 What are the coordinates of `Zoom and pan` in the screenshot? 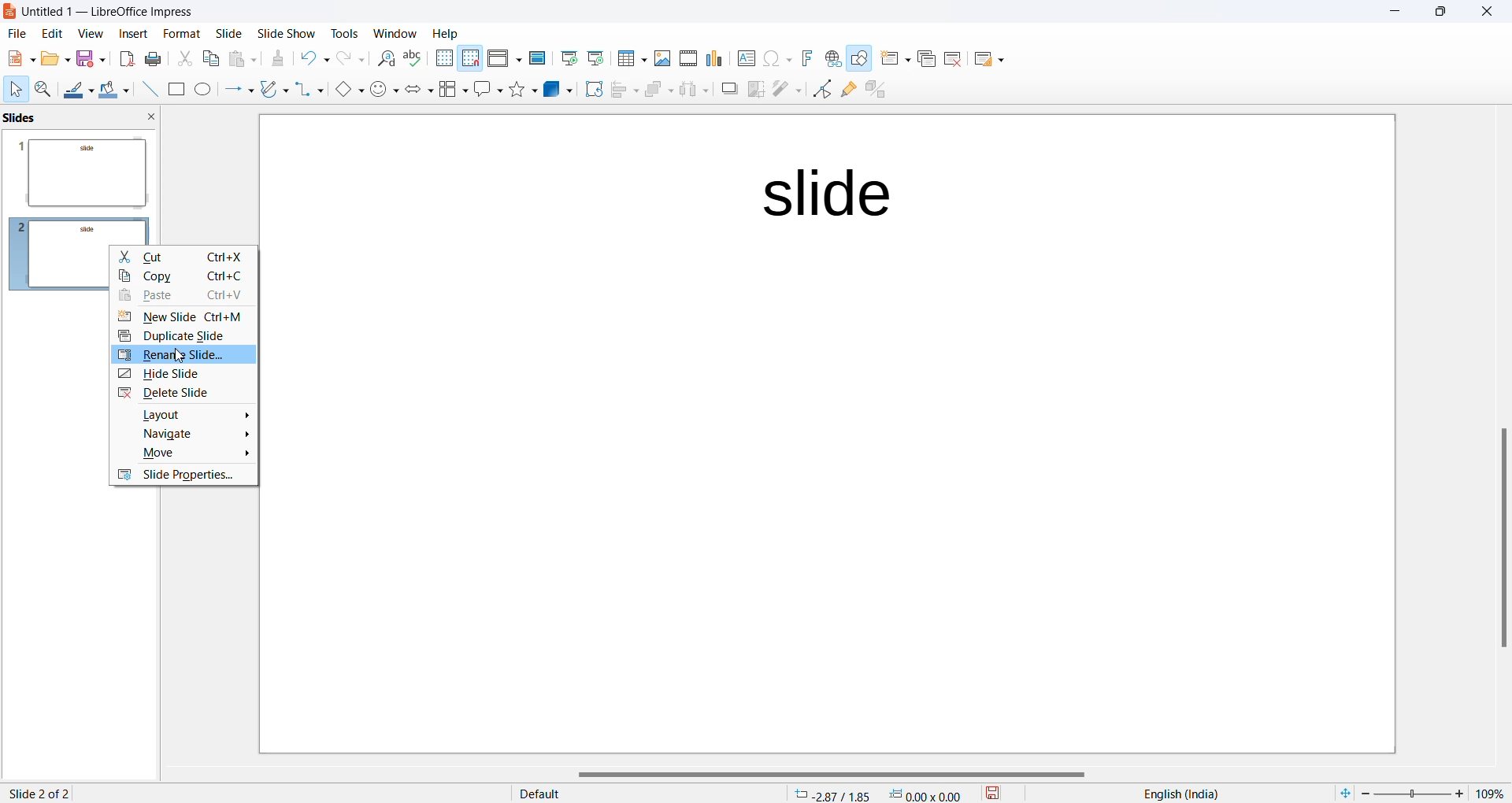 It's located at (41, 88).